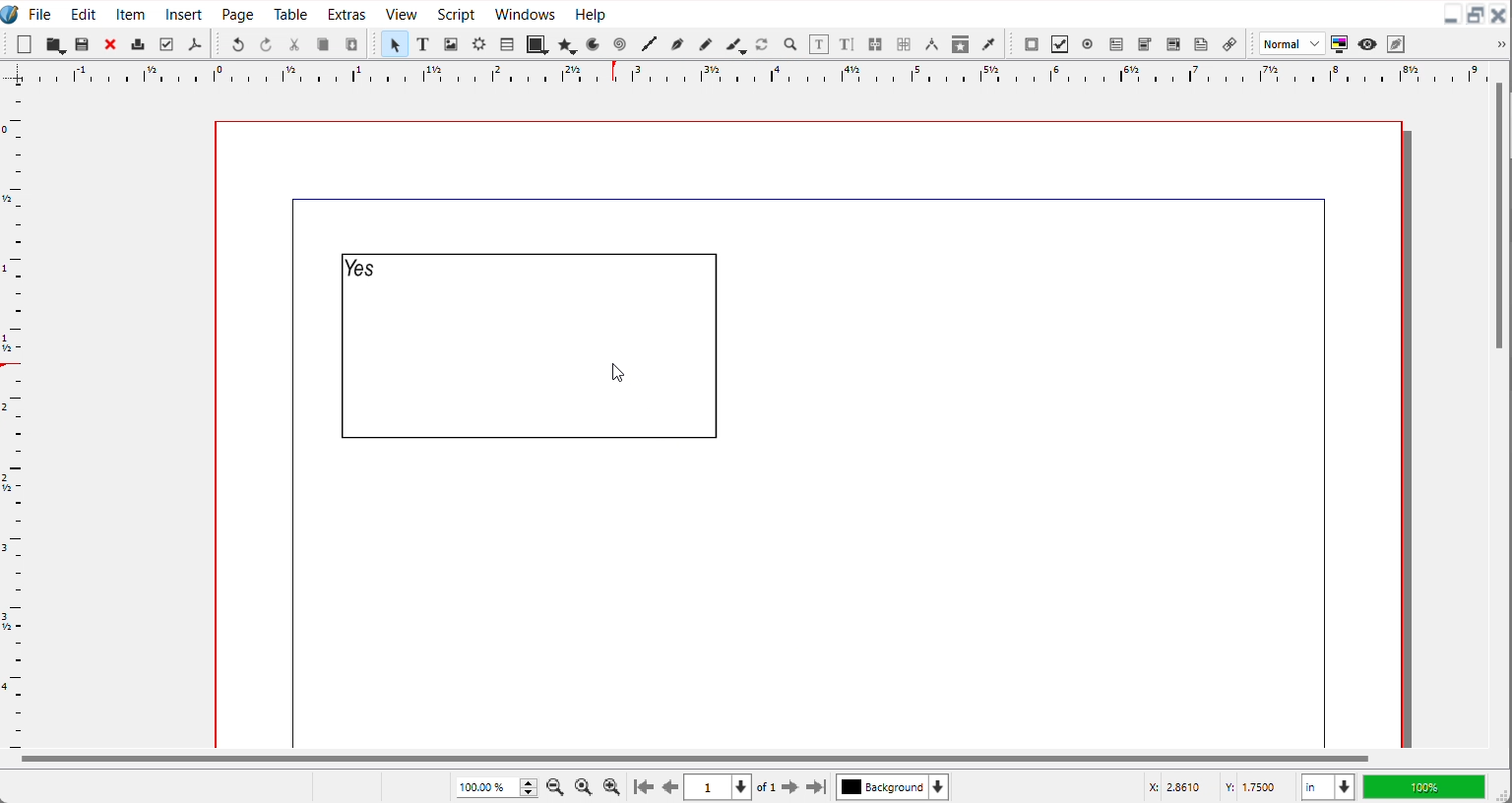 The image size is (1512, 803). What do you see at coordinates (735, 45) in the screenshot?
I see `Calligraphic line` at bounding box center [735, 45].